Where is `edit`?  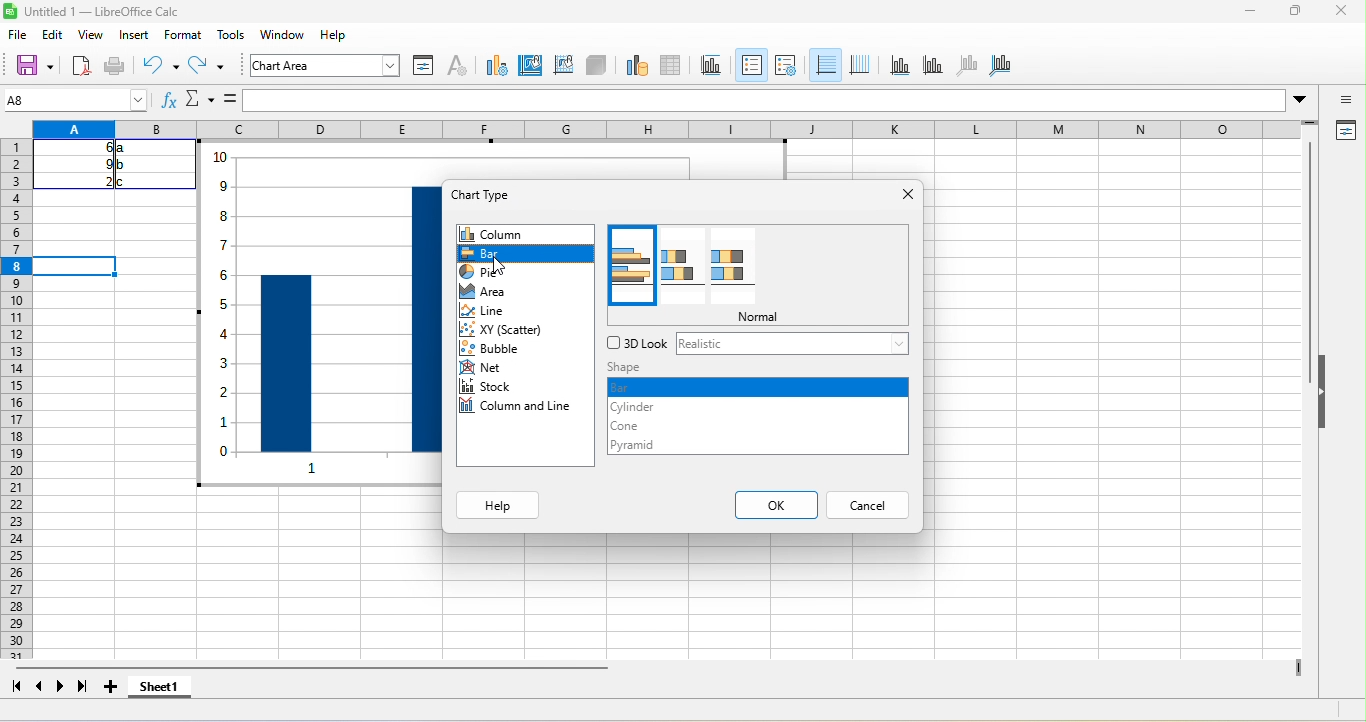
edit is located at coordinates (56, 33).